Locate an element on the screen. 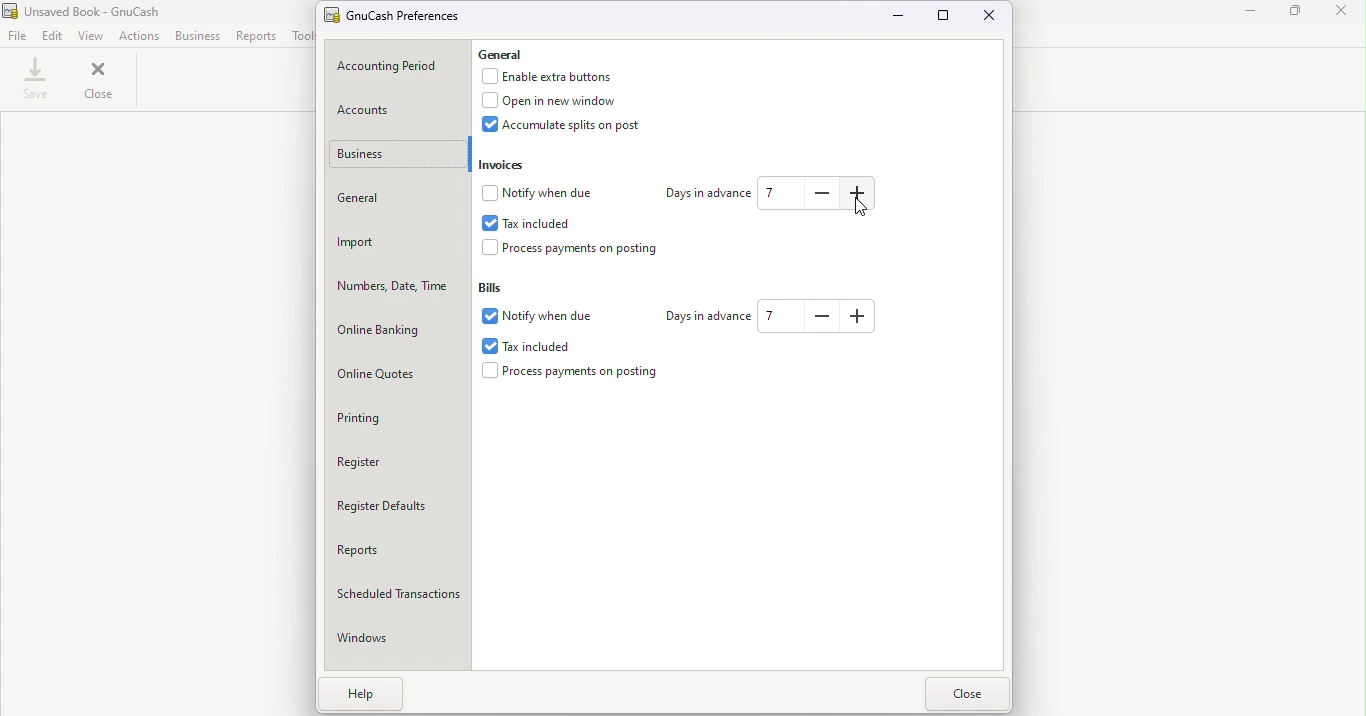  Process payments on postings is located at coordinates (583, 251).